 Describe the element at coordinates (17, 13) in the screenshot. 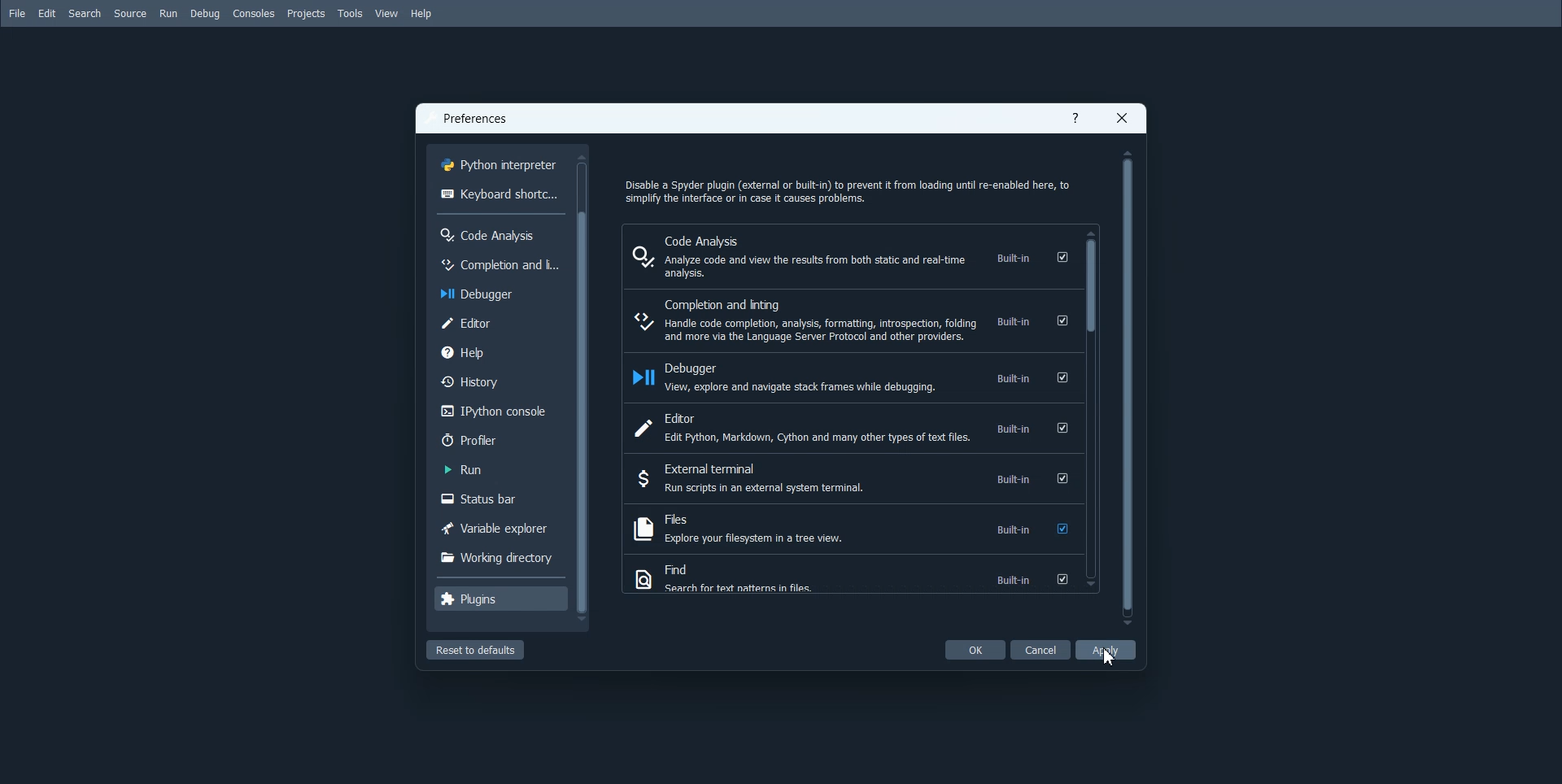

I see `File` at that location.